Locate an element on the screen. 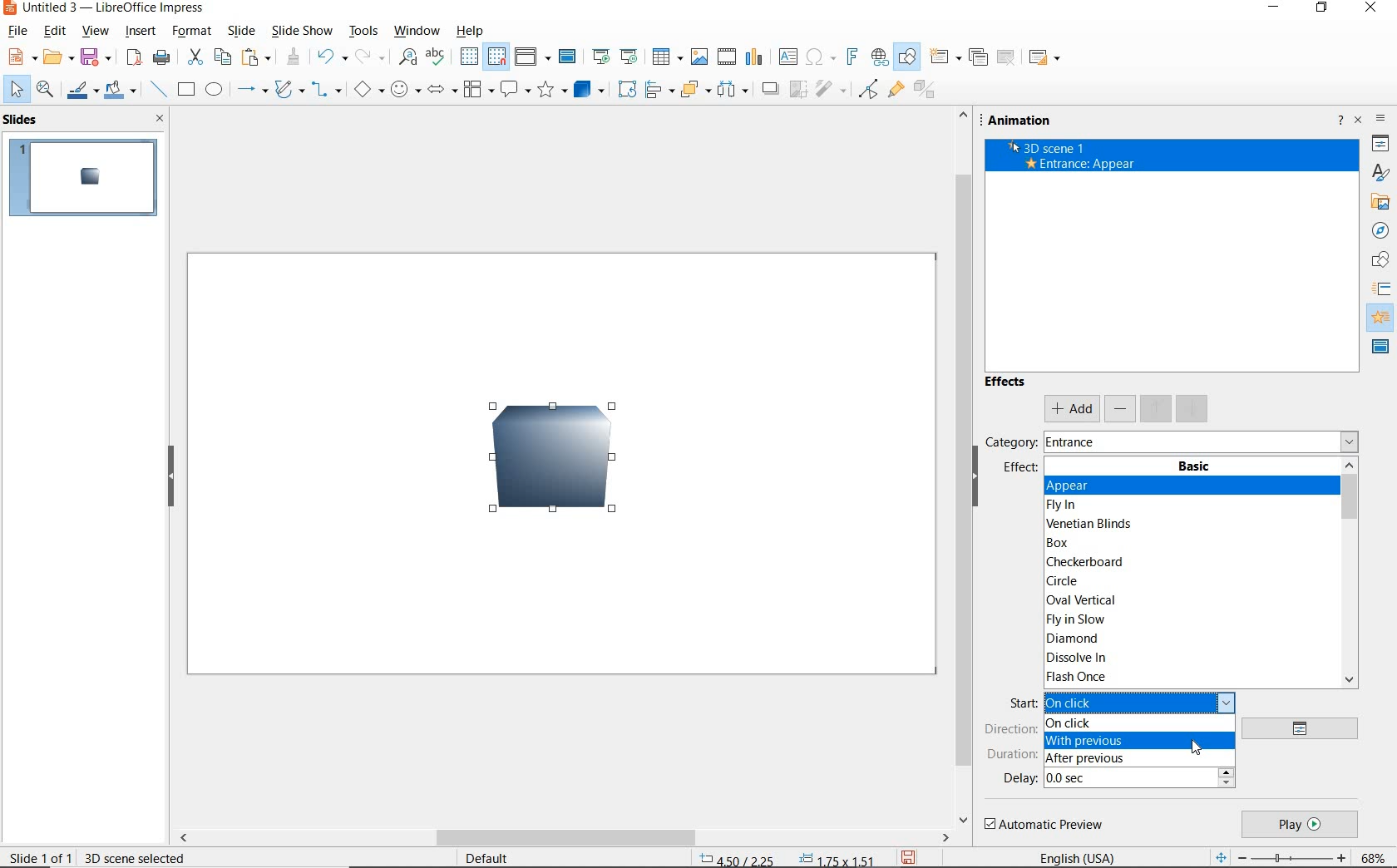 Image resolution: width=1397 pixels, height=868 pixels. arrange is located at coordinates (695, 89).